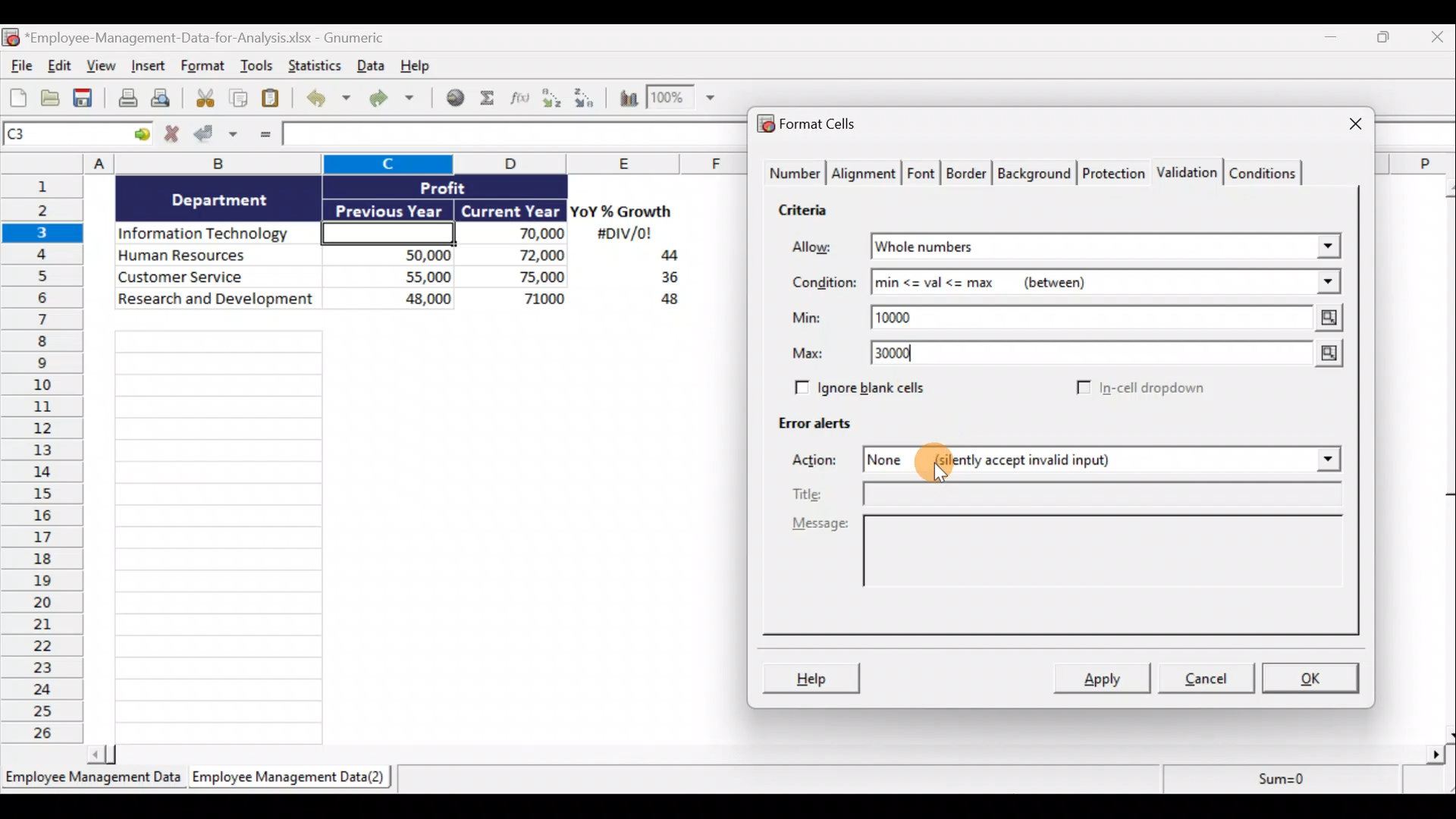 This screenshot has width=1456, height=819. What do you see at coordinates (551, 98) in the screenshot?
I see `Sort ascending` at bounding box center [551, 98].